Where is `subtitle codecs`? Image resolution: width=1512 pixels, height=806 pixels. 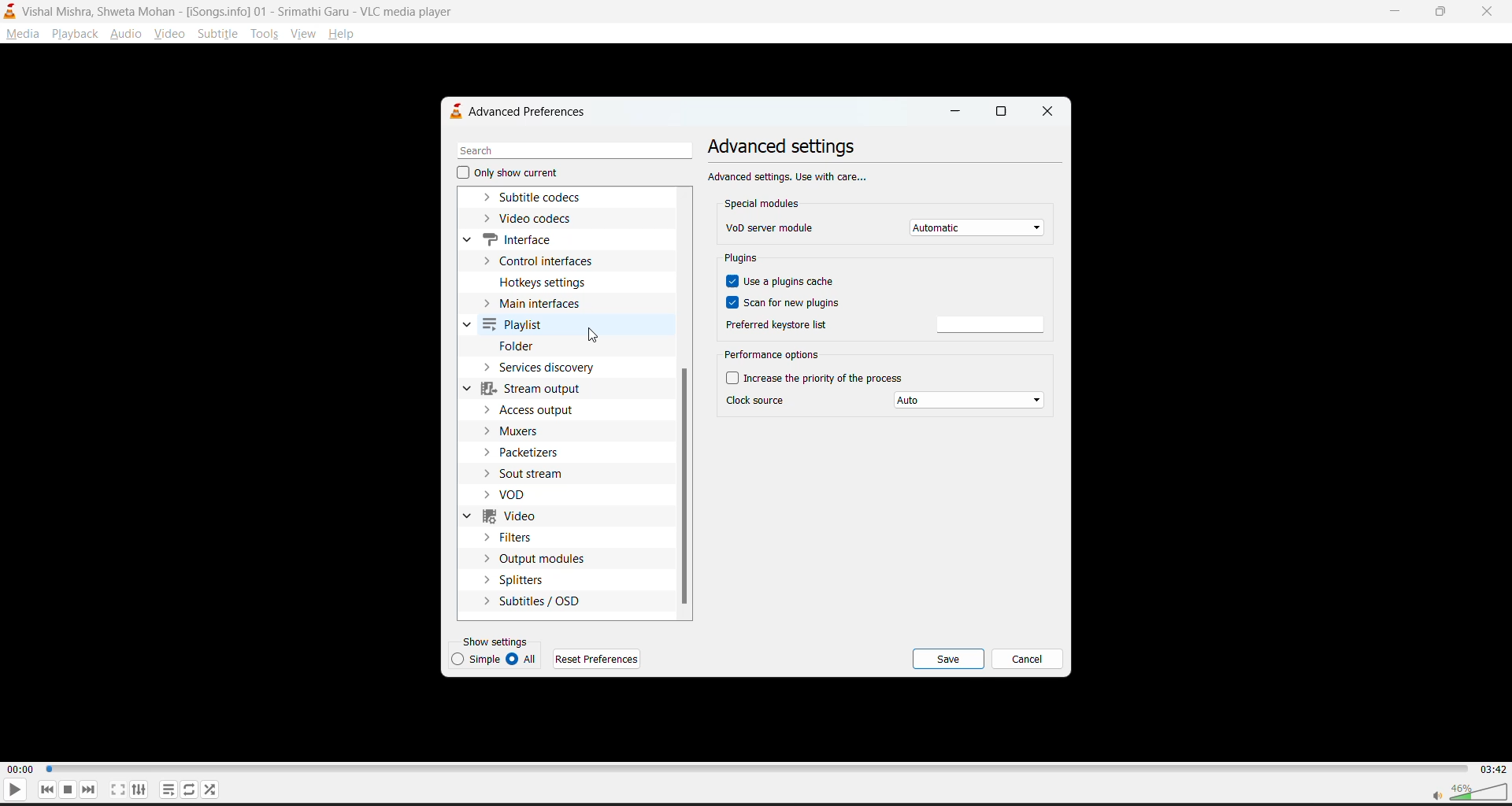
subtitle codecs is located at coordinates (543, 198).